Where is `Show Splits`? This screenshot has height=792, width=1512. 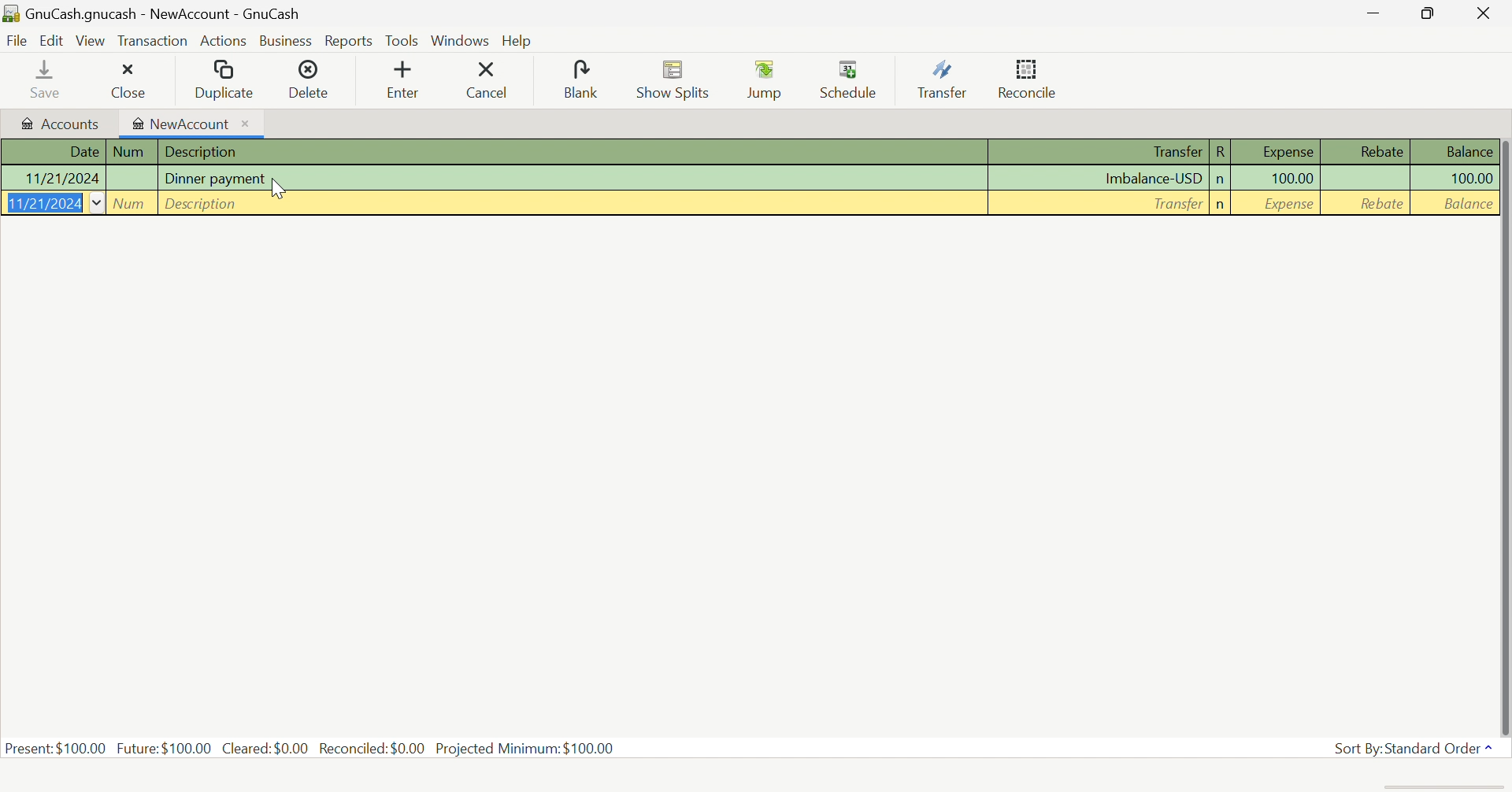 Show Splits is located at coordinates (675, 80).